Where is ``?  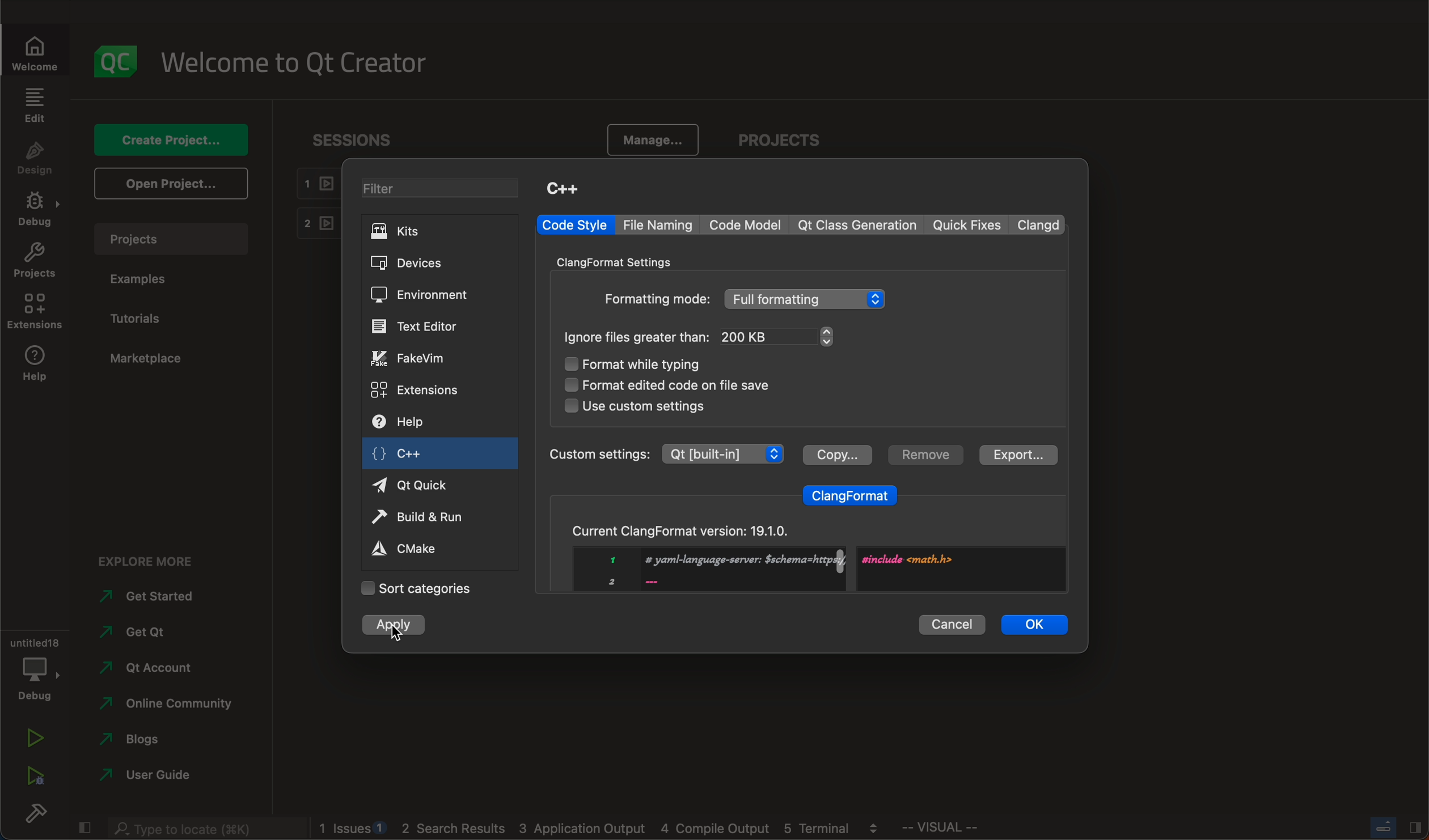
 is located at coordinates (656, 299).